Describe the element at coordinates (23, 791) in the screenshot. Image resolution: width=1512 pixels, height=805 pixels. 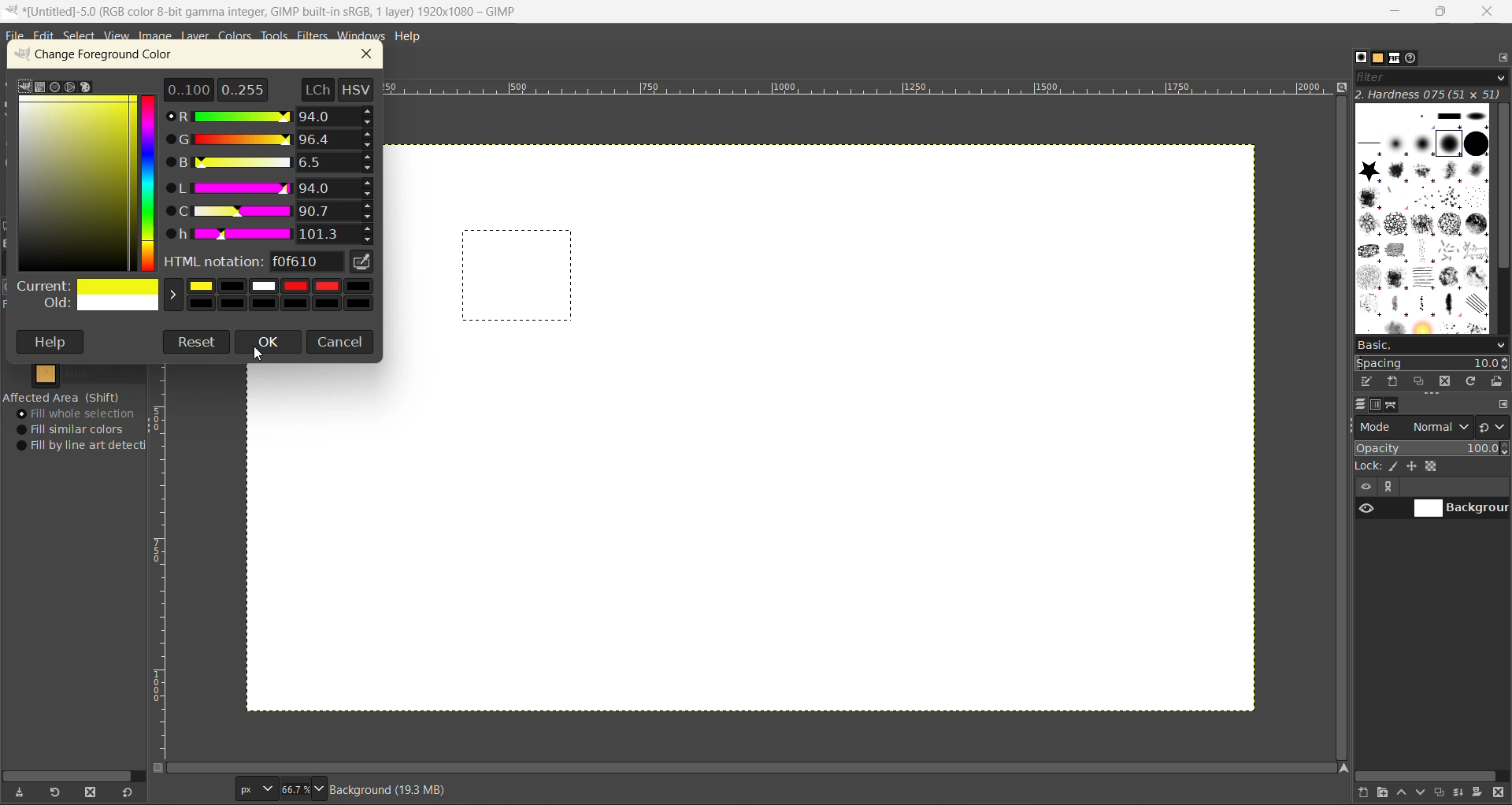
I see `save tool preset` at that location.